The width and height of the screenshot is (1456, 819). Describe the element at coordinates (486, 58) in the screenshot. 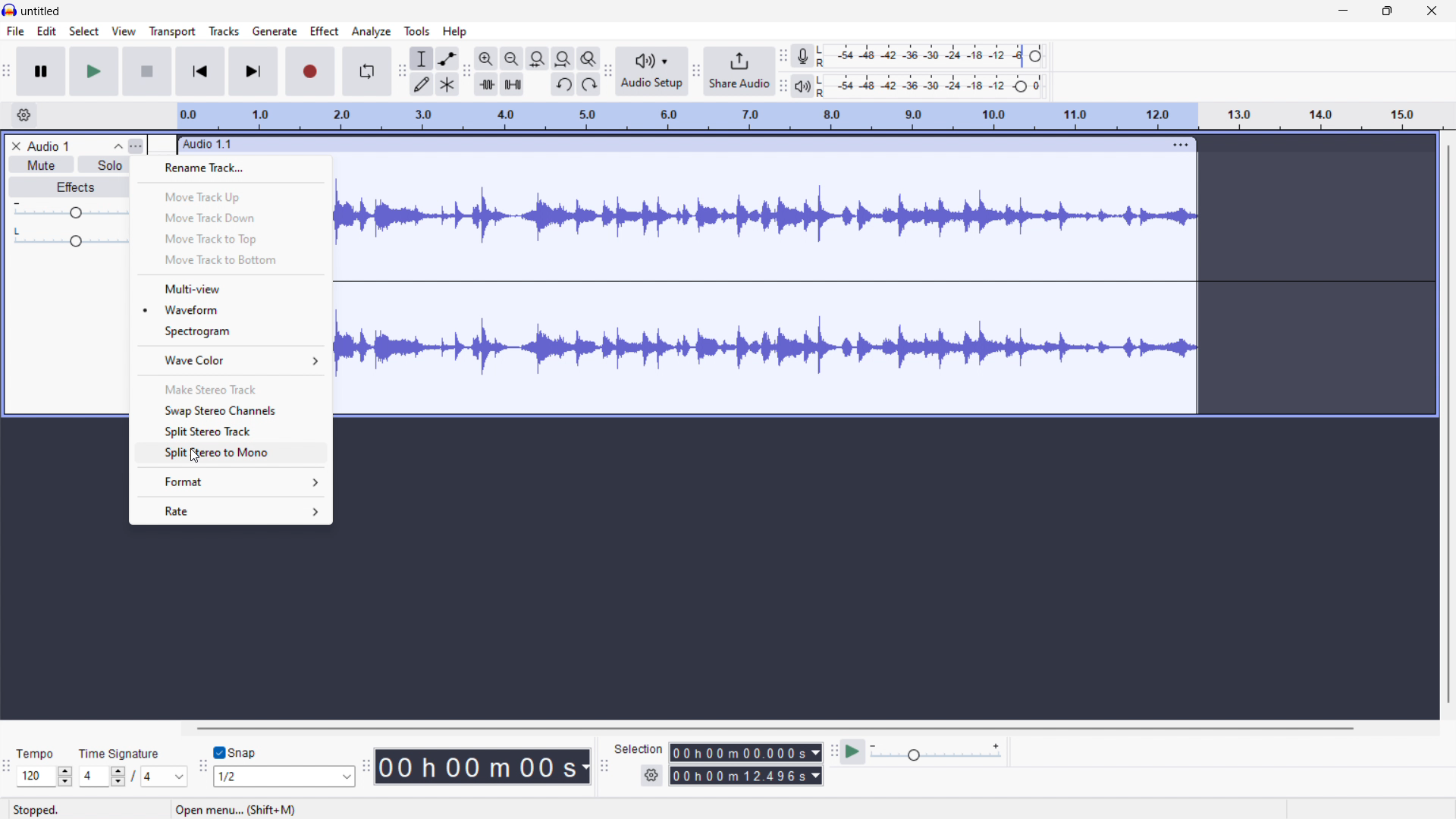

I see `zoom in` at that location.